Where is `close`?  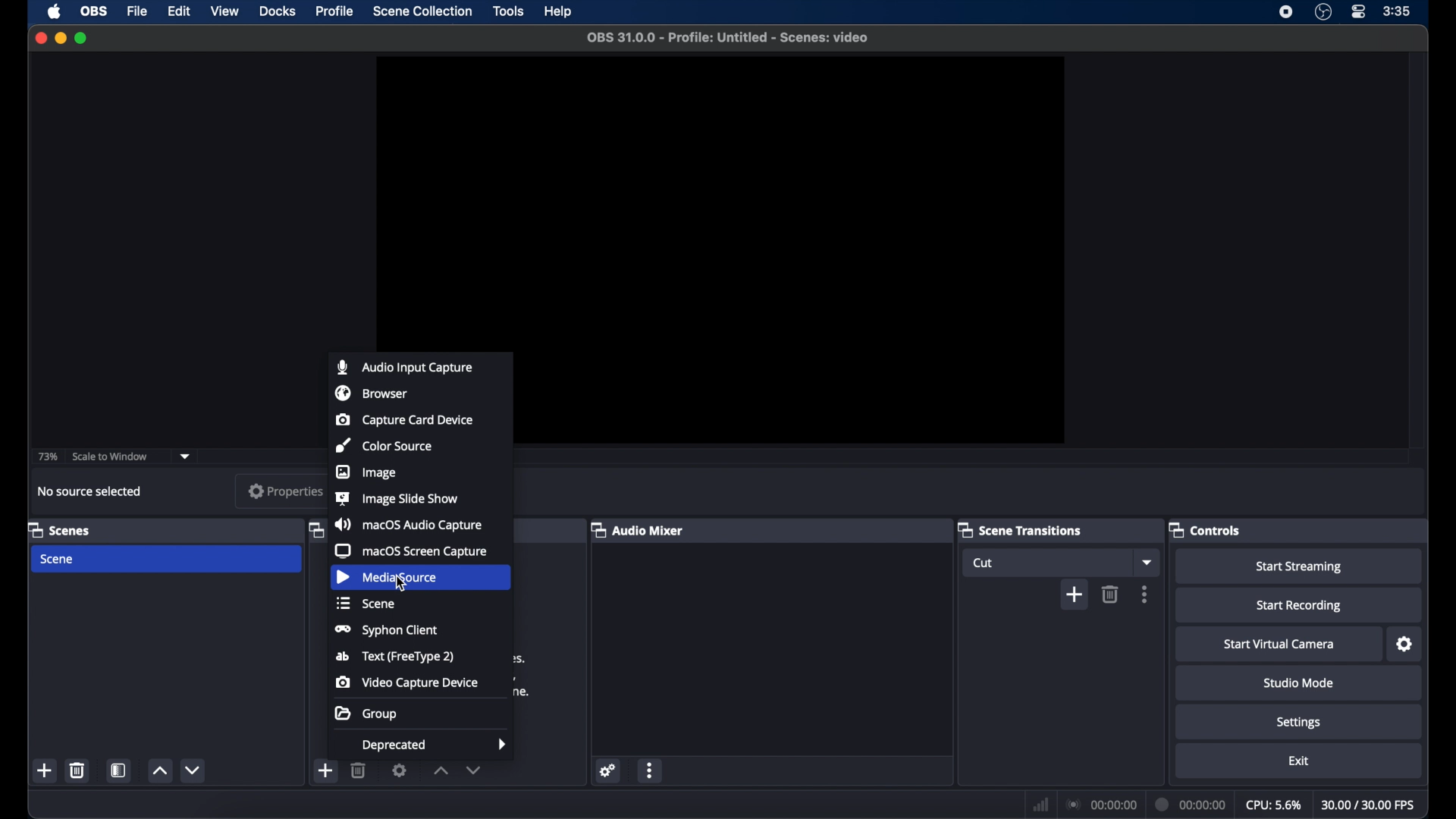 close is located at coordinates (40, 39).